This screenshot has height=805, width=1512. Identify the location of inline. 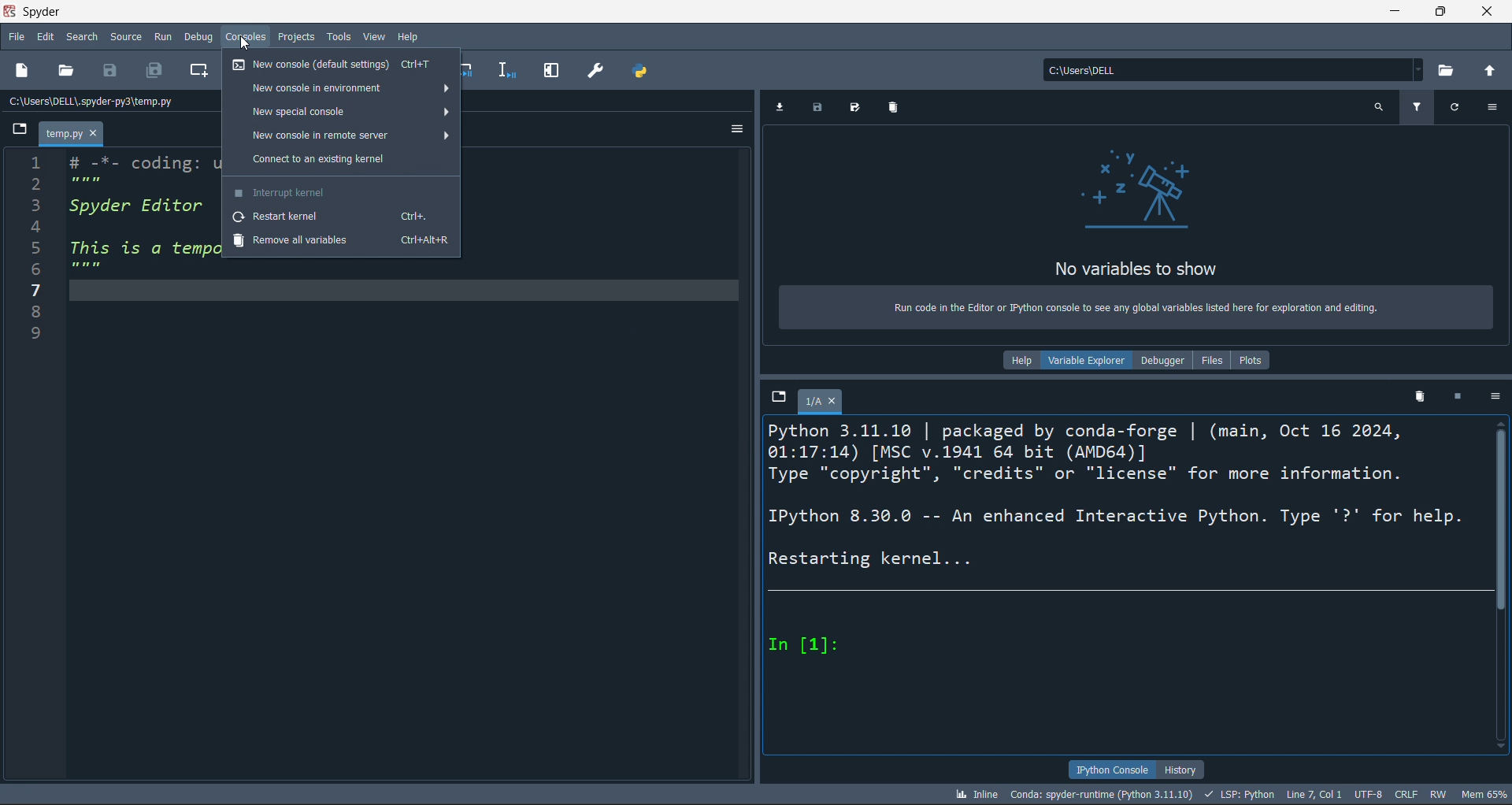
(976, 795).